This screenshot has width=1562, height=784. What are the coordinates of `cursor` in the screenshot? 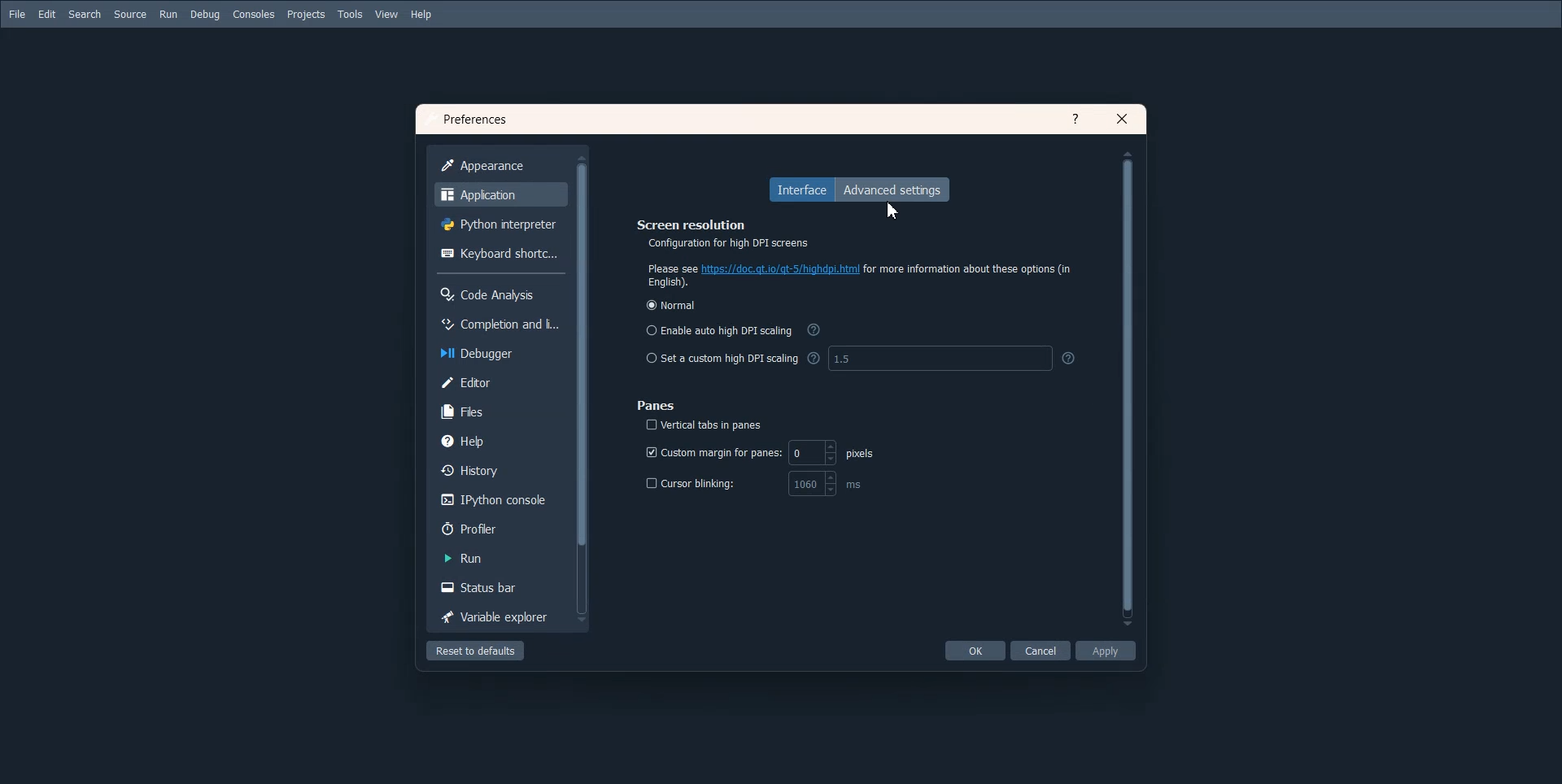 It's located at (894, 211).